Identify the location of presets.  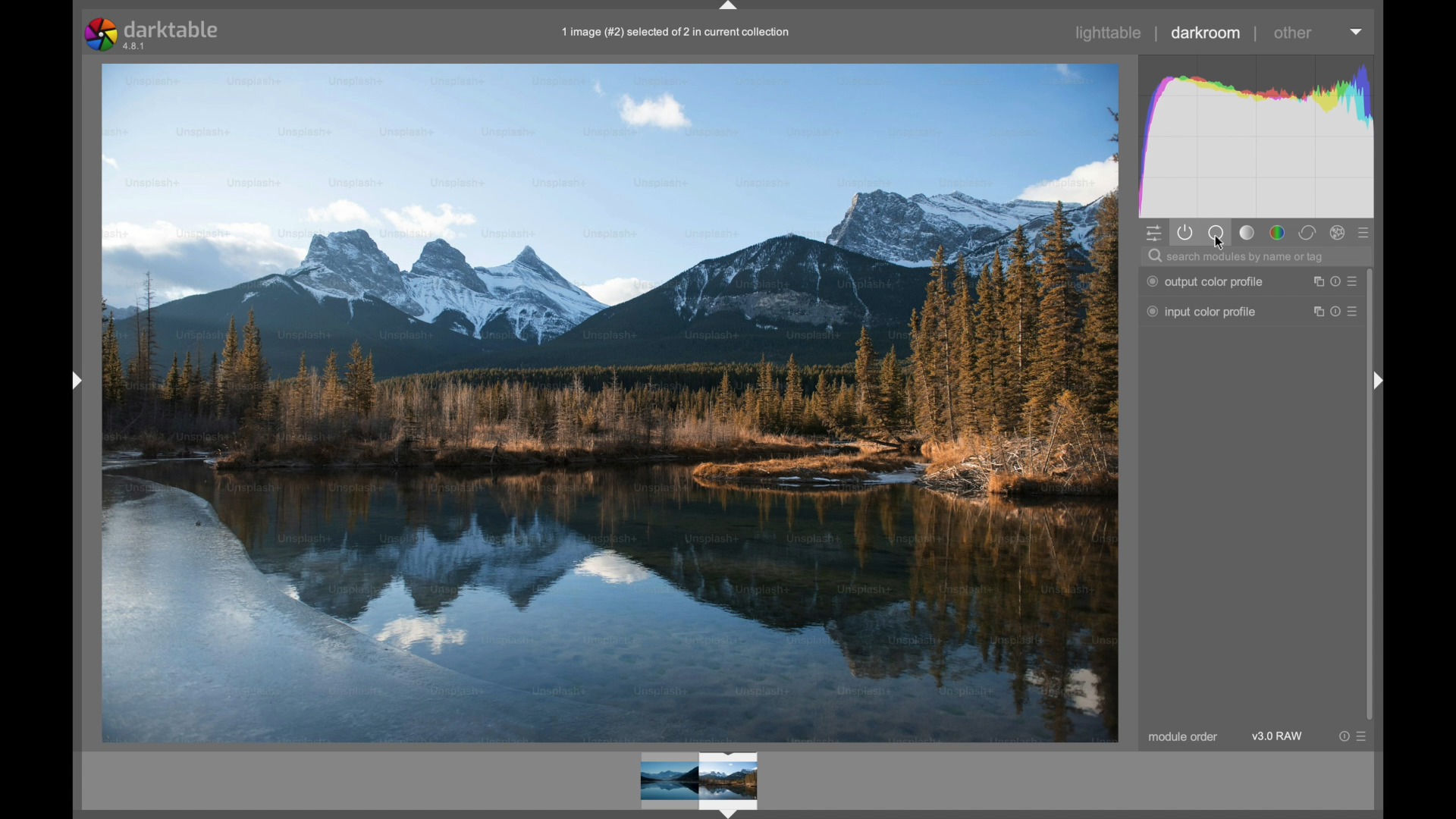
(1357, 281).